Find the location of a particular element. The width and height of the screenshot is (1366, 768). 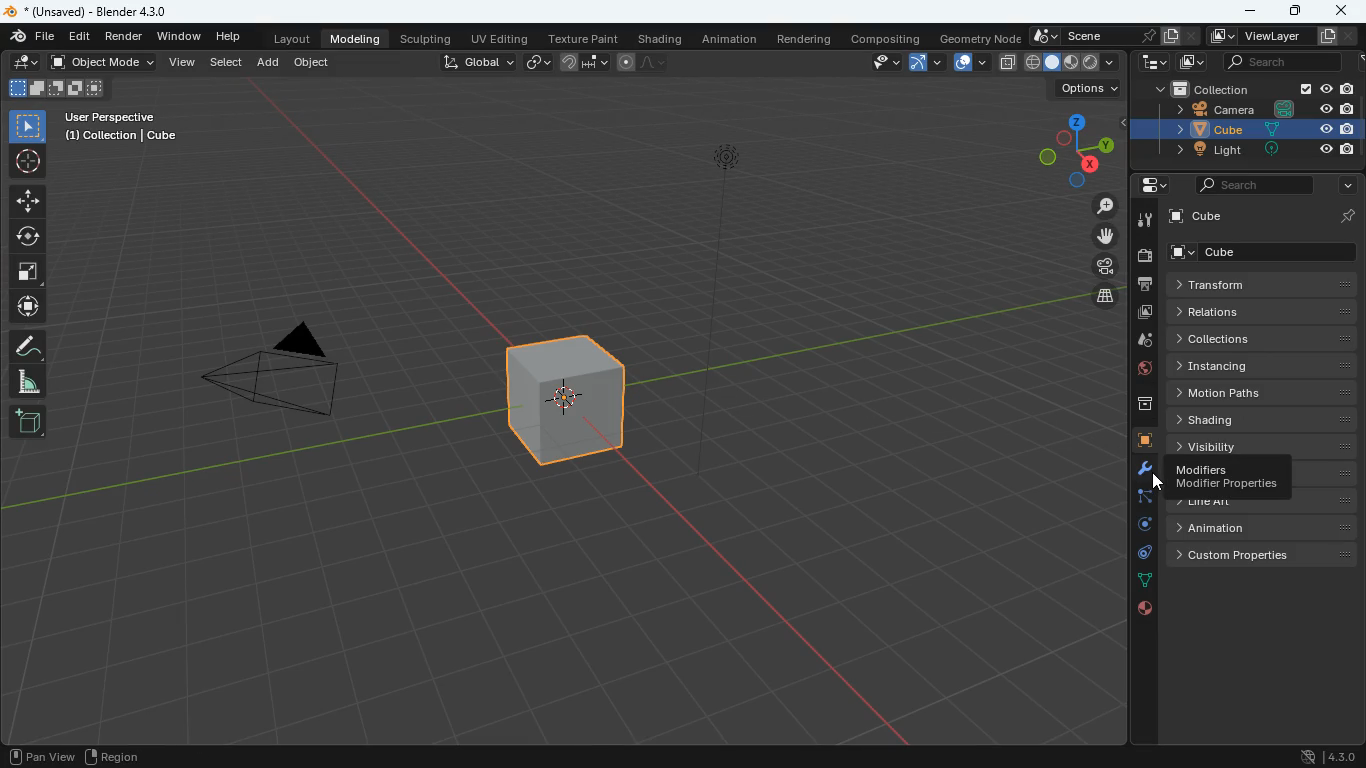

light is located at coordinates (1261, 149).